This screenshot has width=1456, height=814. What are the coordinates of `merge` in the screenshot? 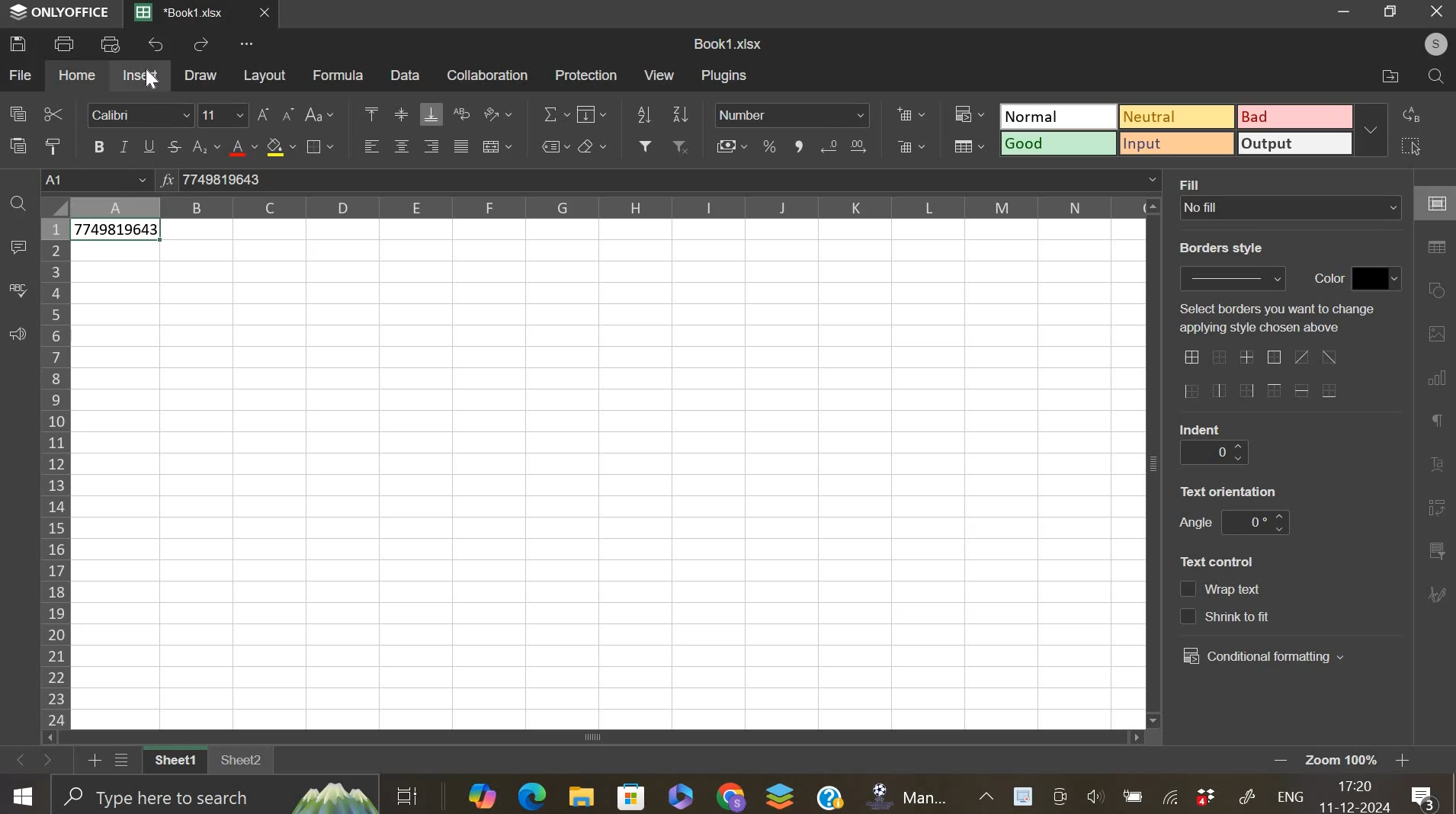 It's located at (496, 146).